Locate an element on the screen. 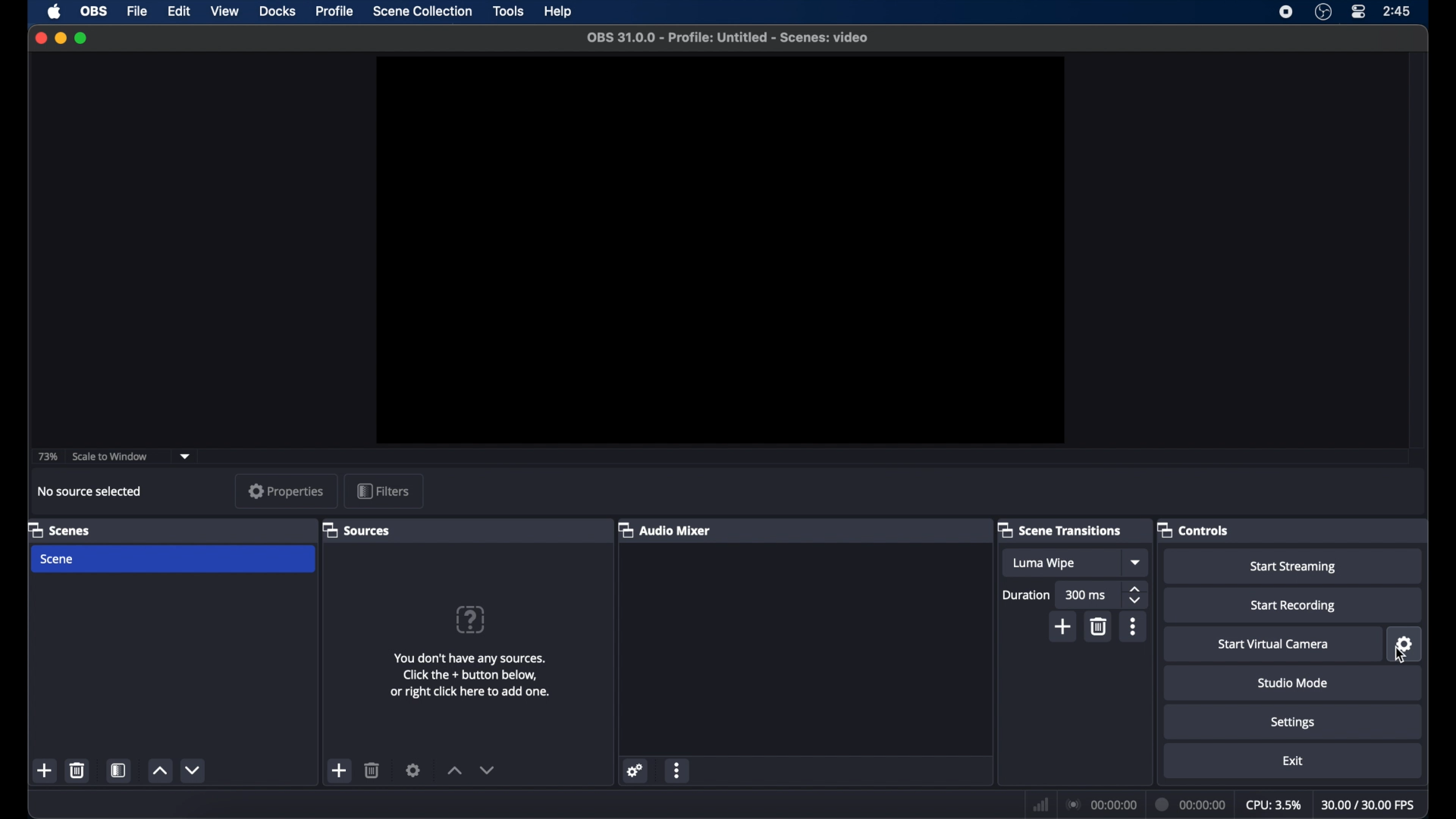 The width and height of the screenshot is (1456, 819). preview is located at coordinates (720, 250).